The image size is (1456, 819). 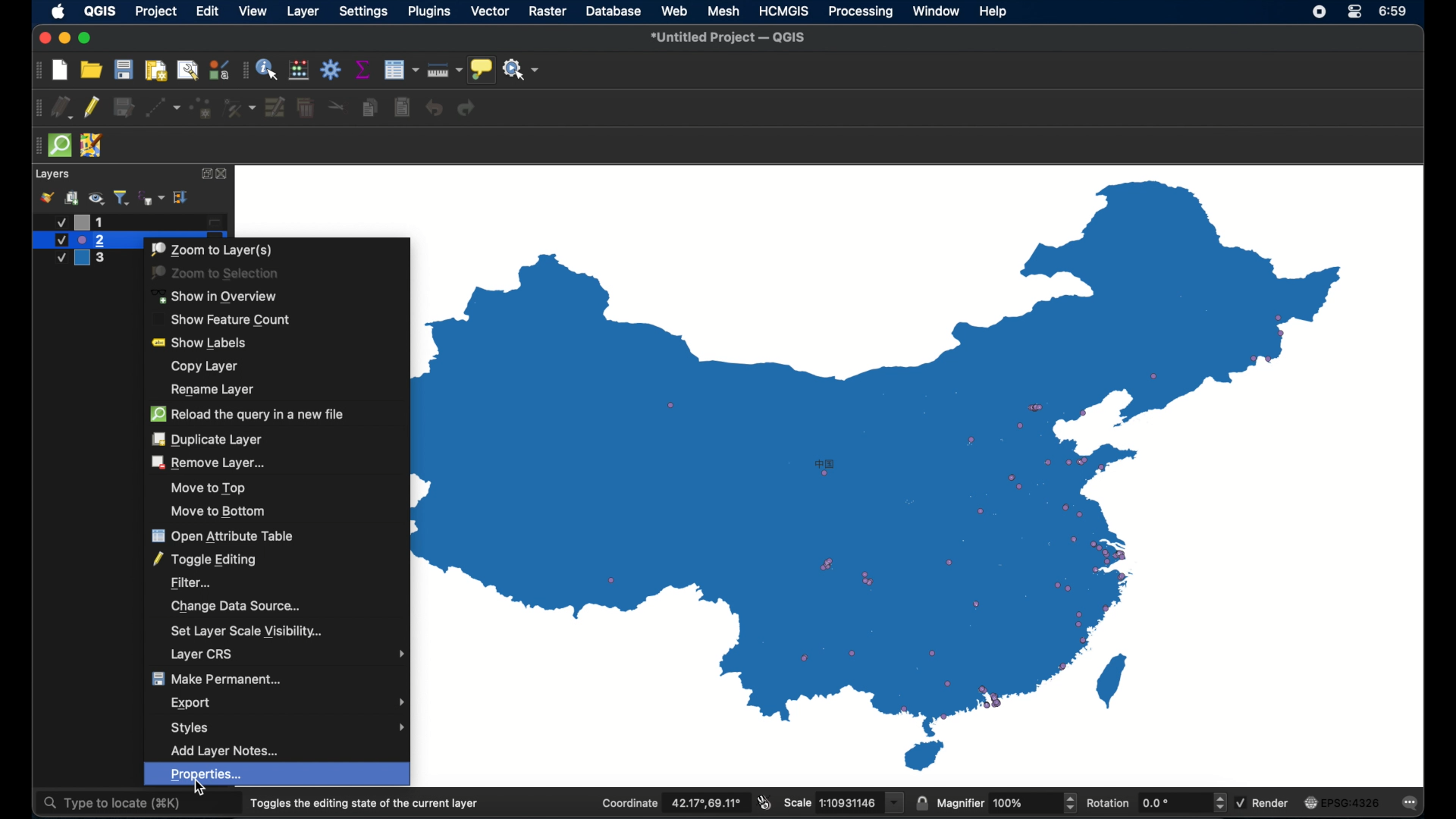 What do you see at coordinates (209, 11) in the screenshot?
I see `edit` at bounding box center [209, 11].